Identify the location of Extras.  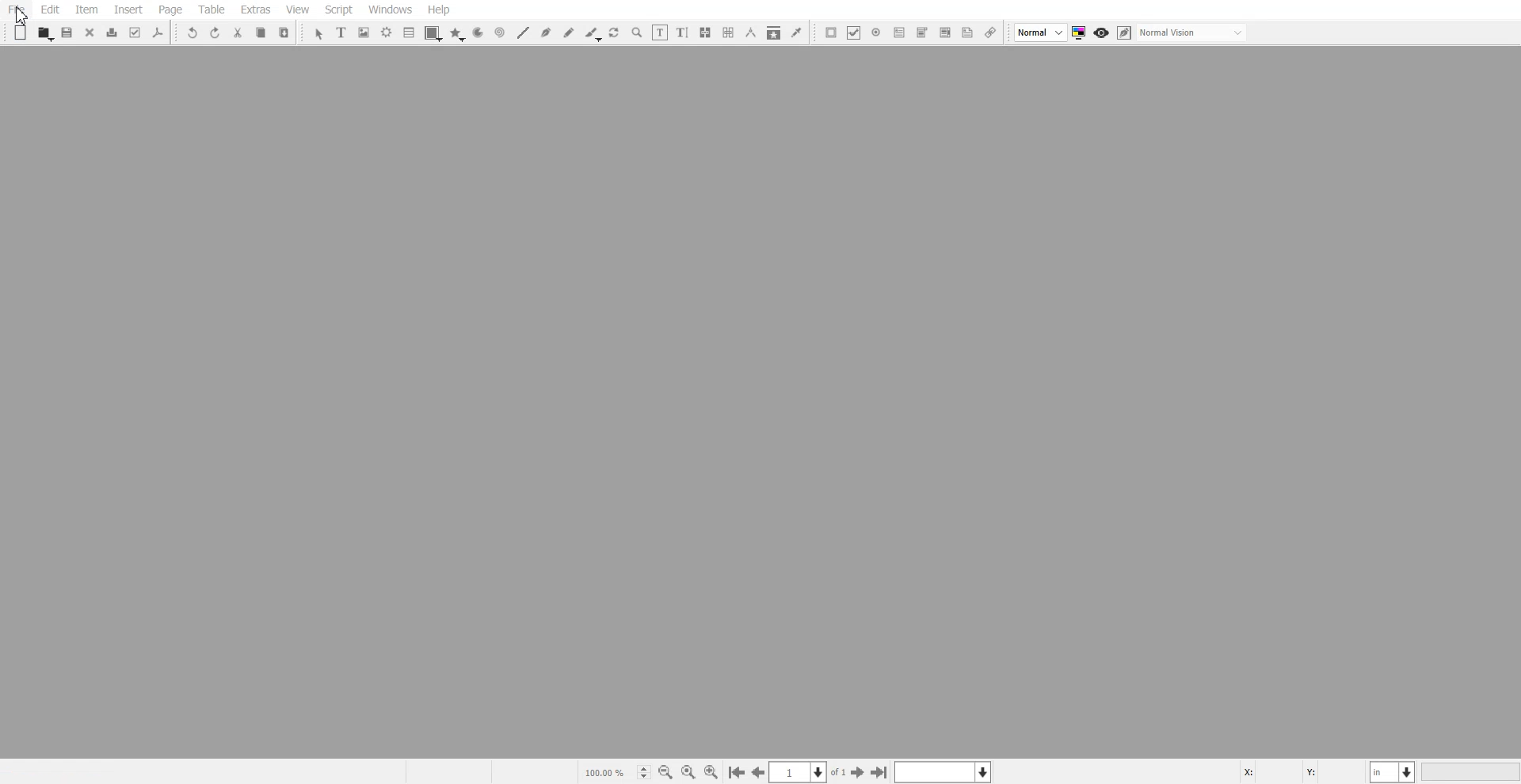
(255, 10).